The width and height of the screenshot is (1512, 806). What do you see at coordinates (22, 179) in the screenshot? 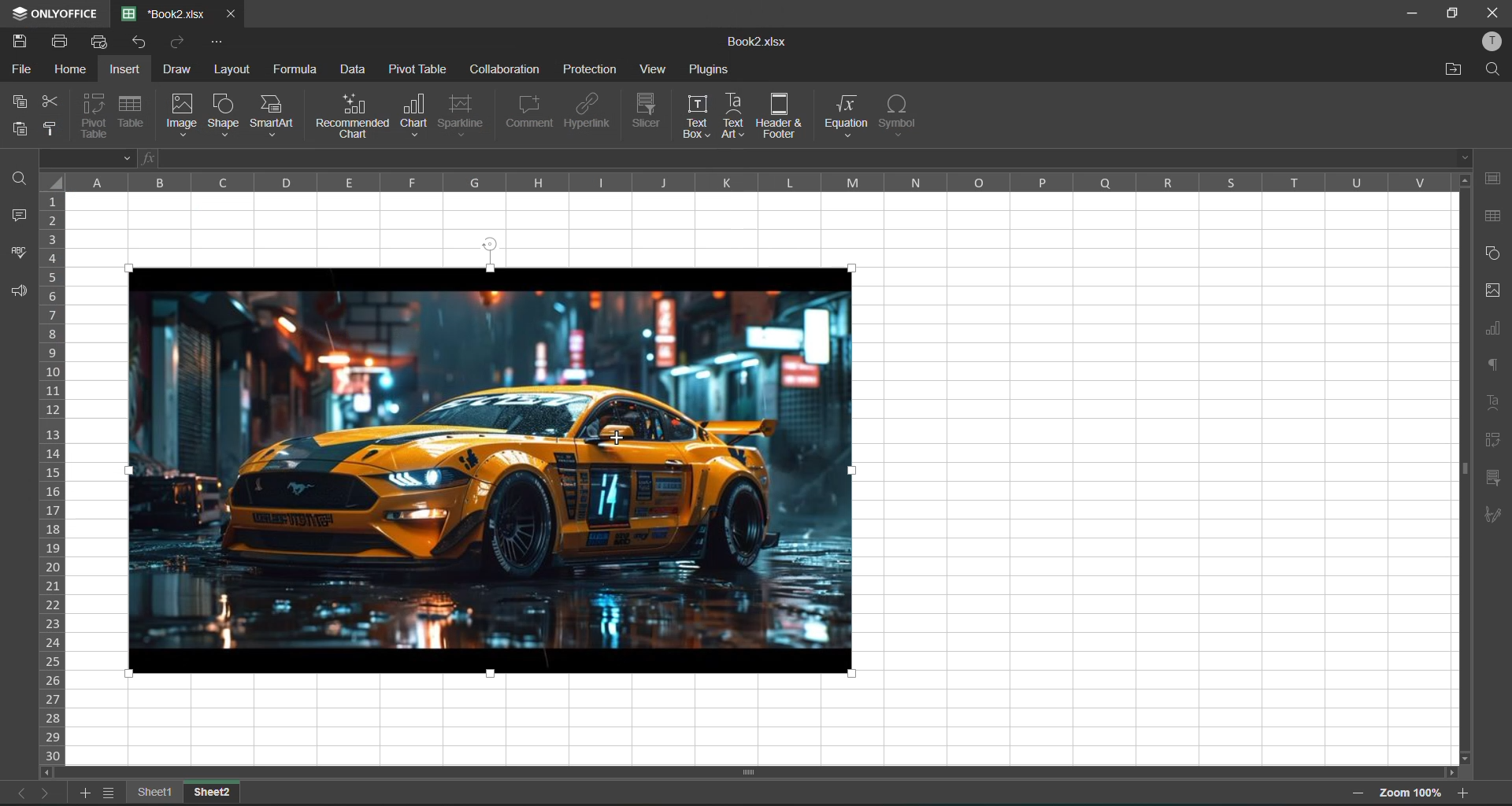
I see `find` at bounding box center [22, 179].